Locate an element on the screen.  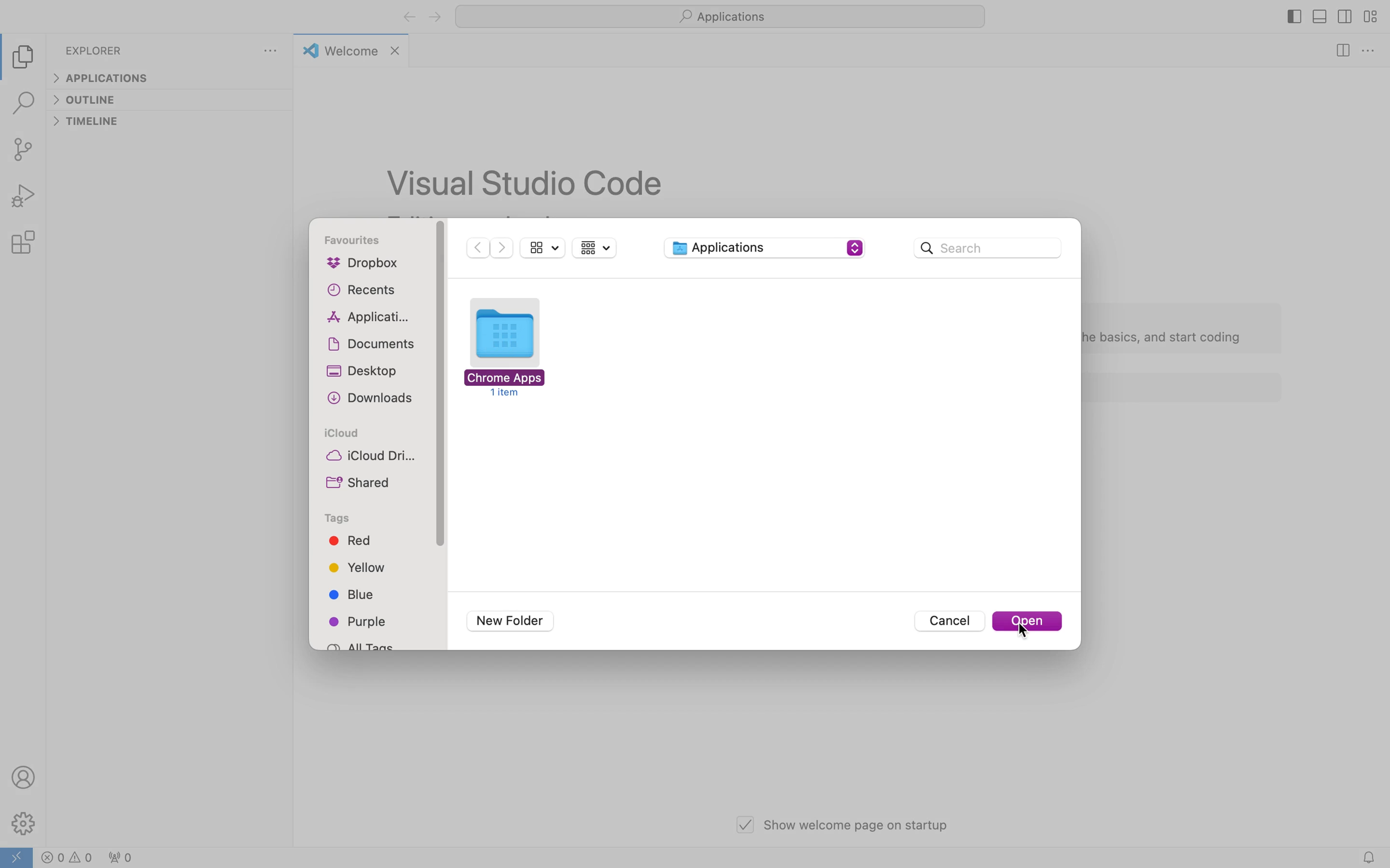
recents is located at coordinates (366, 290).